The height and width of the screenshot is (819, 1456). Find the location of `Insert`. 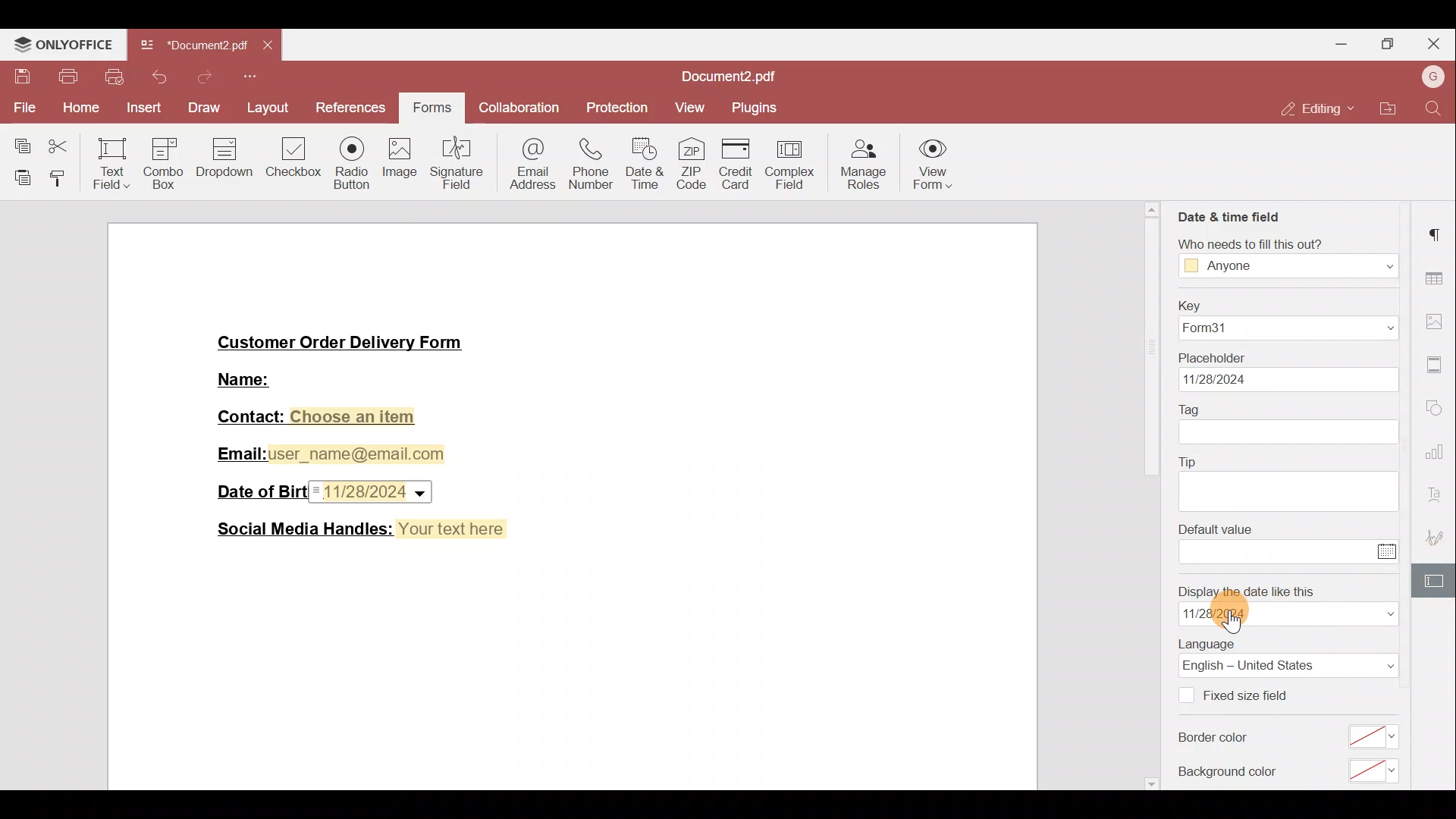

Insert is located at coordinates (143, 108).